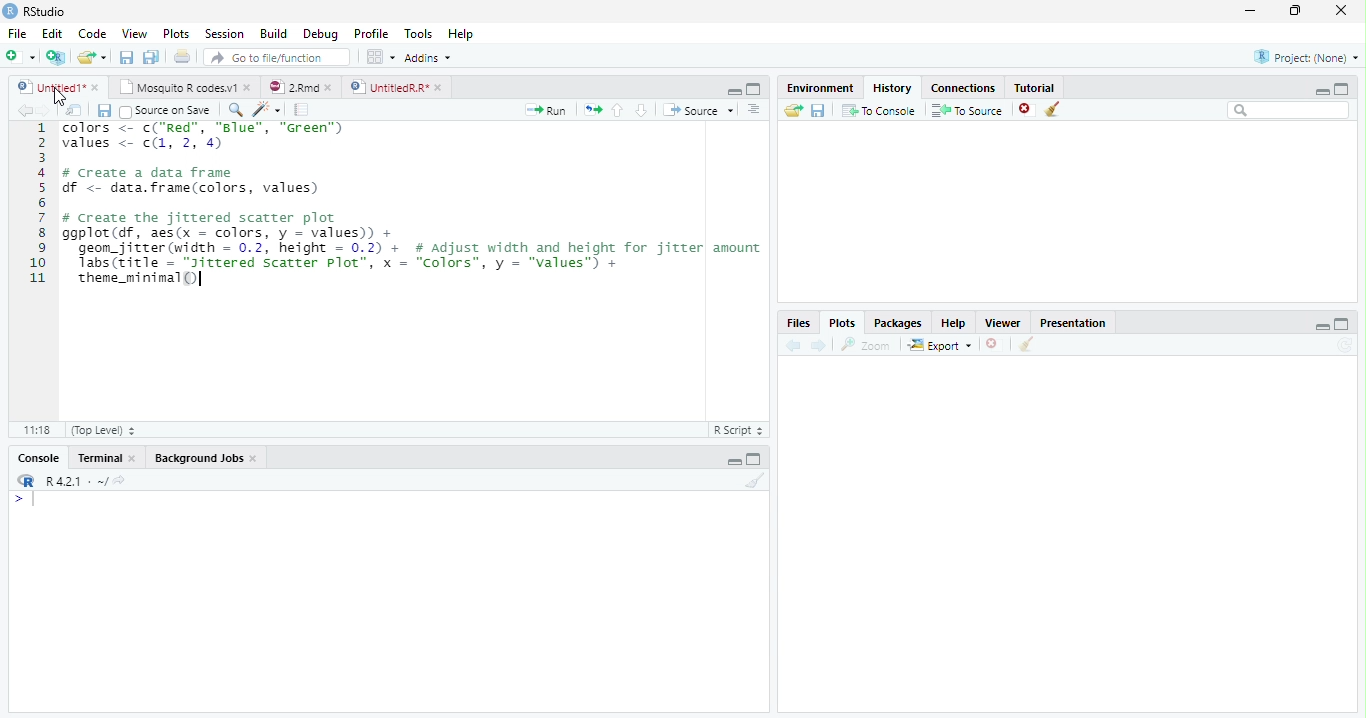  Describe the element at coordinates (25, 481) in the screenshot. I see `R` at that location.